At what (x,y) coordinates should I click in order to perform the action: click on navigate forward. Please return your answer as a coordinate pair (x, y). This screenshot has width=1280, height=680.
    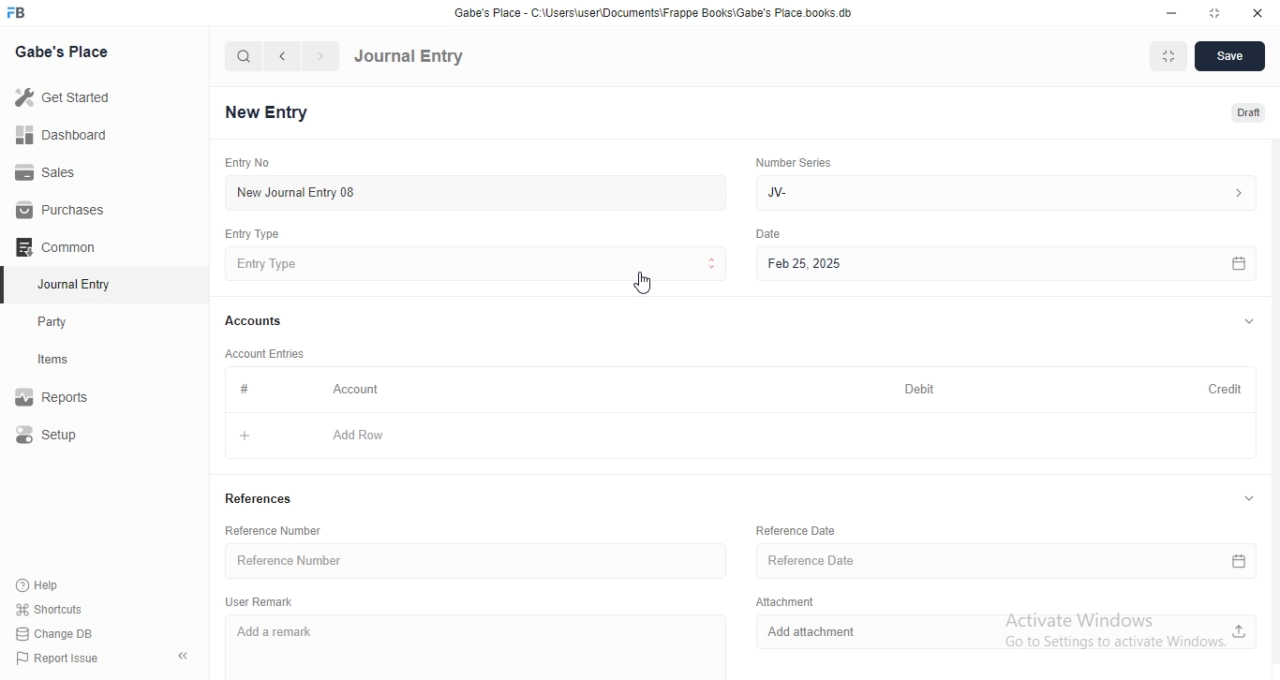
    Looking at the image, I should click on (321, 56).